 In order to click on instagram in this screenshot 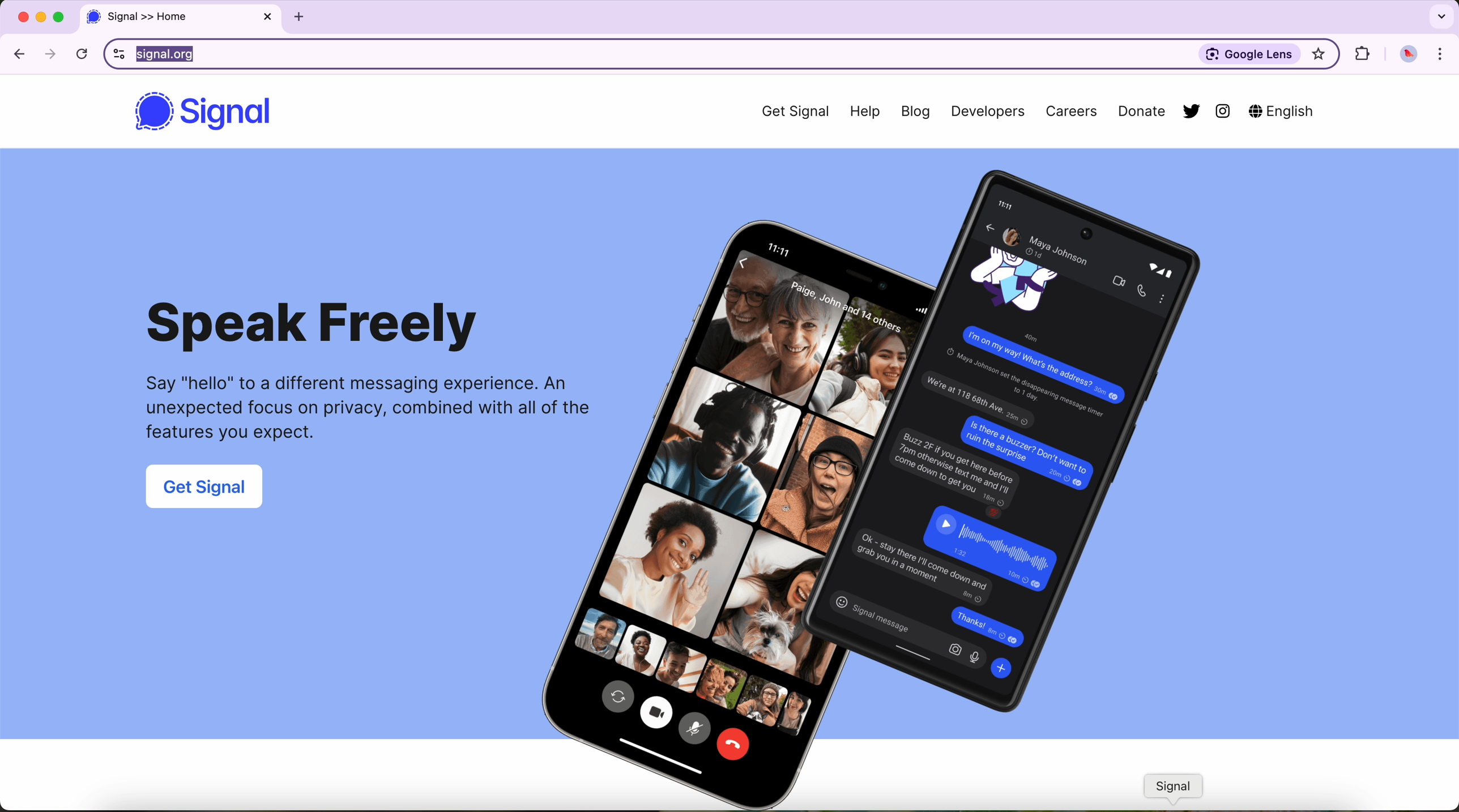, I will do `click(1224, 113)`.